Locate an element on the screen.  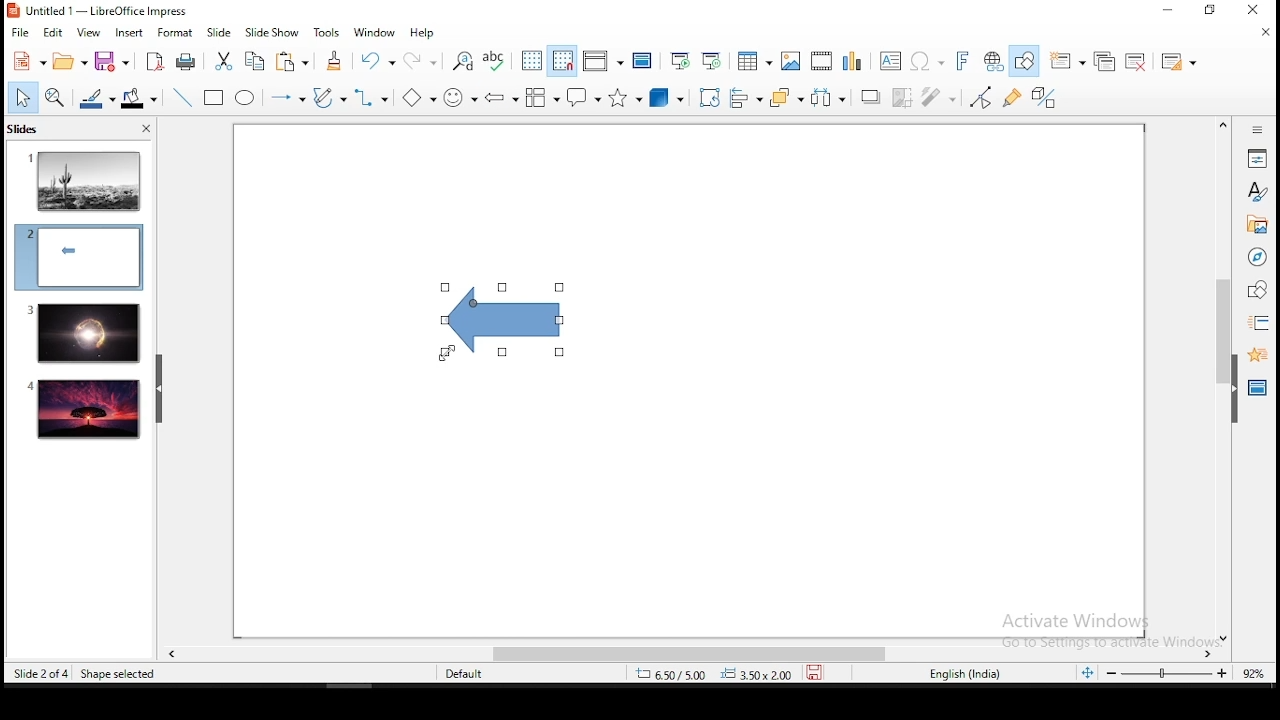
save is located at coordinates (111, 63).